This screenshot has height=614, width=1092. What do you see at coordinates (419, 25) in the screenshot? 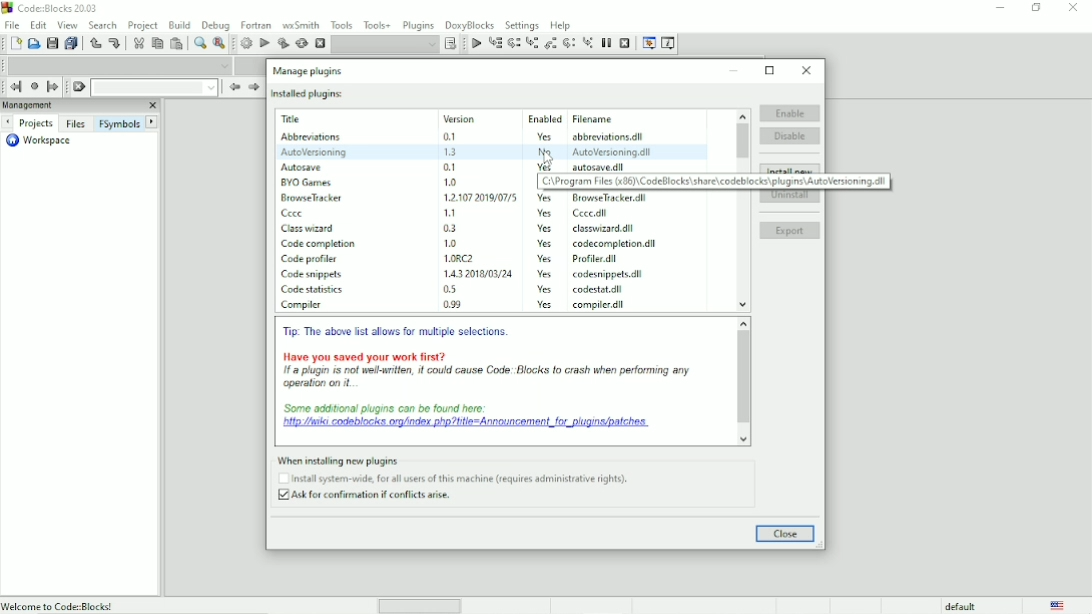
I see `Plugins` at bounding box center [419, 25].